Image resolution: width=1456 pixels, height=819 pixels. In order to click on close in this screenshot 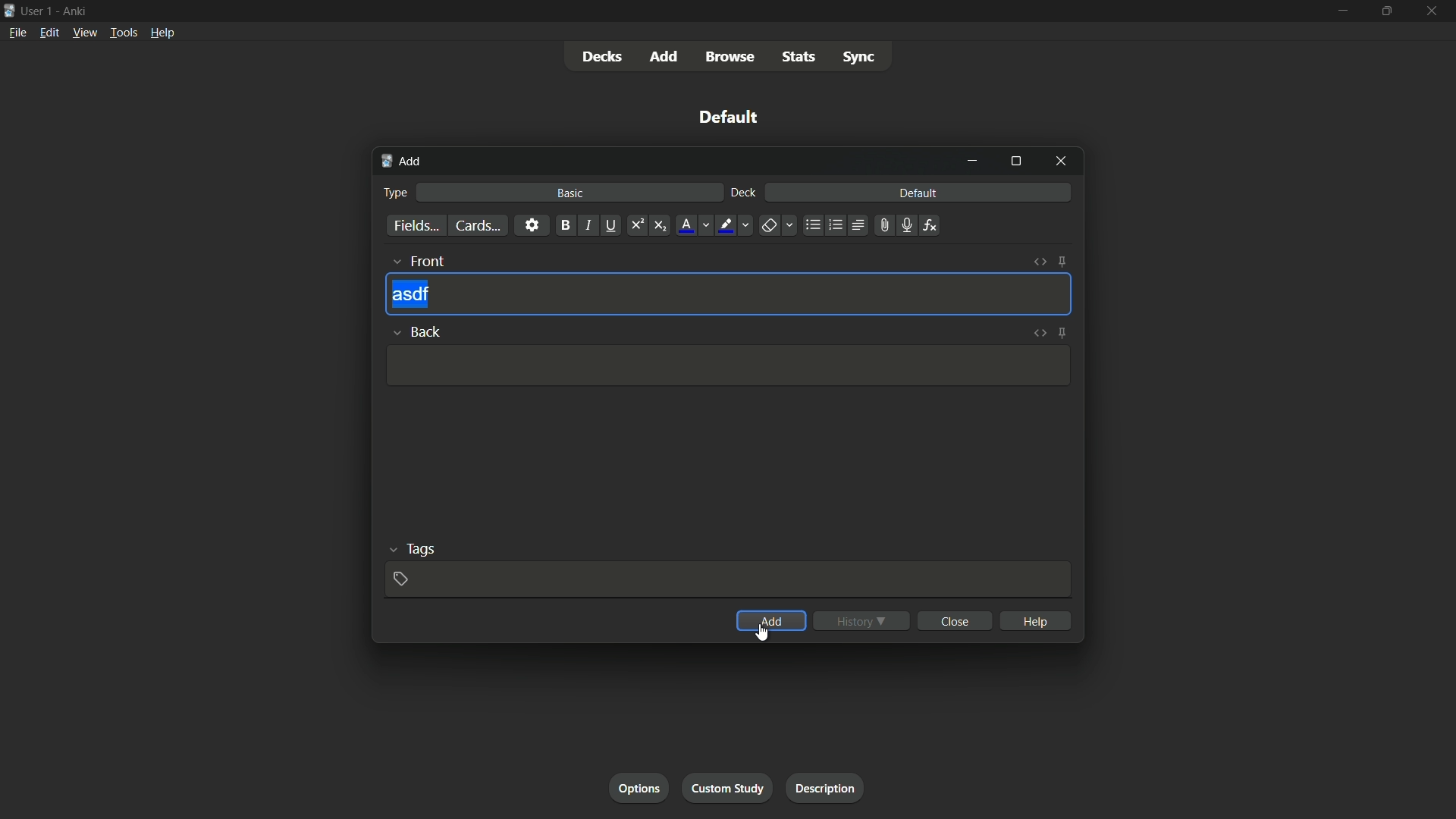, I will do `click(1430, 11)`.